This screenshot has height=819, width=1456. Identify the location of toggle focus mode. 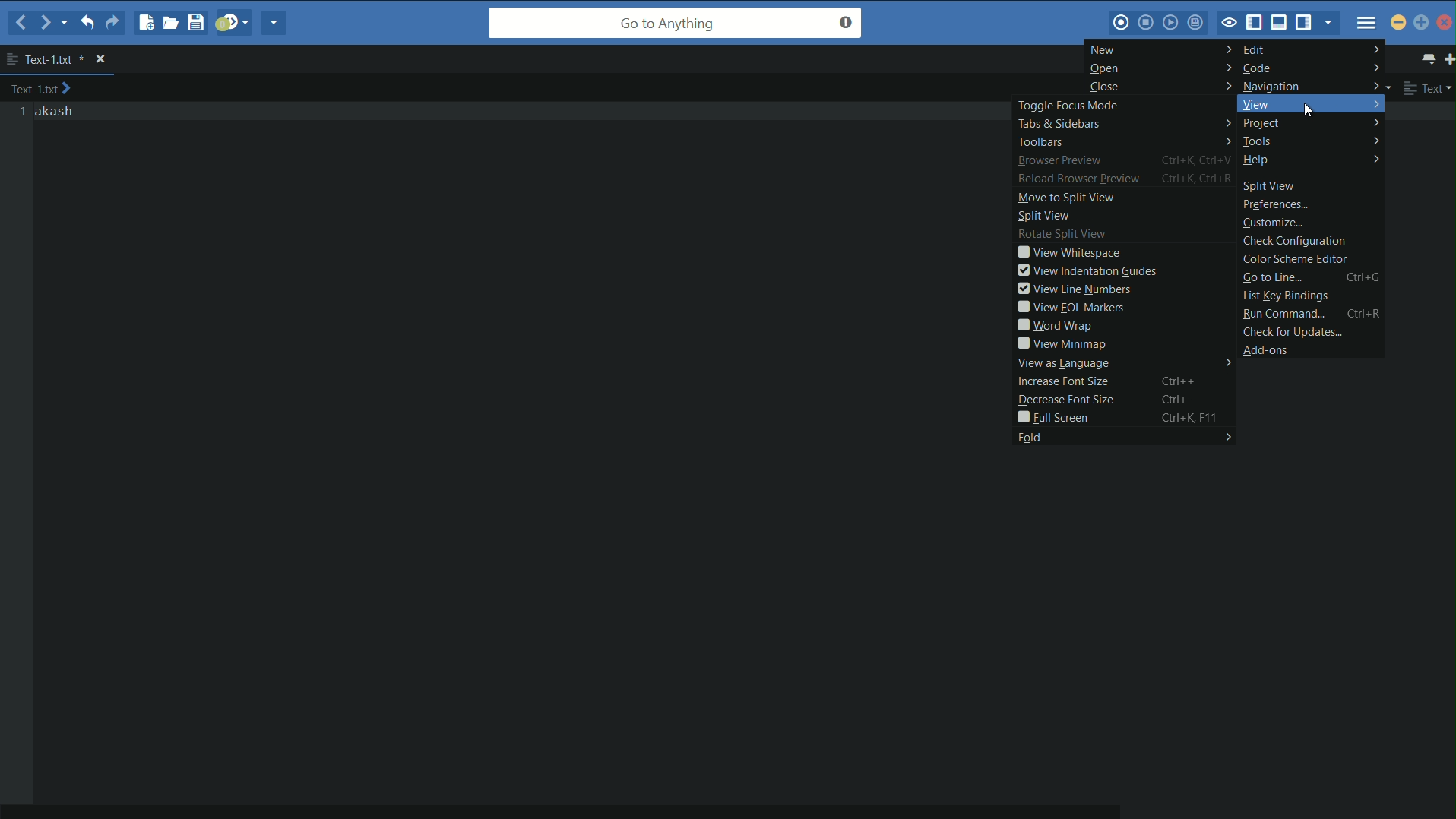
(1122, 104).